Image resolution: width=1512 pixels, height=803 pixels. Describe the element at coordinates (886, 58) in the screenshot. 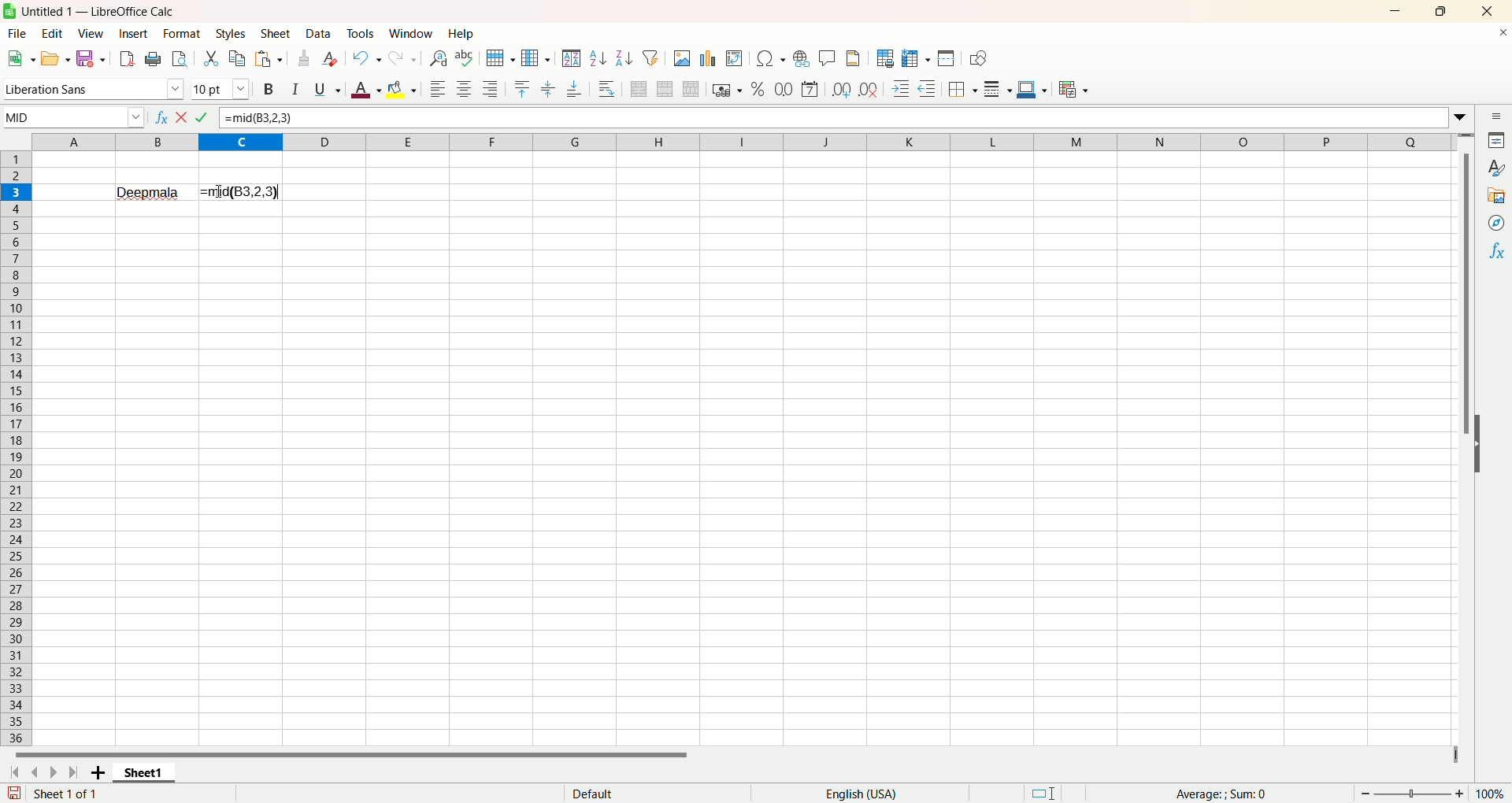

I see `Define print area` at that location.